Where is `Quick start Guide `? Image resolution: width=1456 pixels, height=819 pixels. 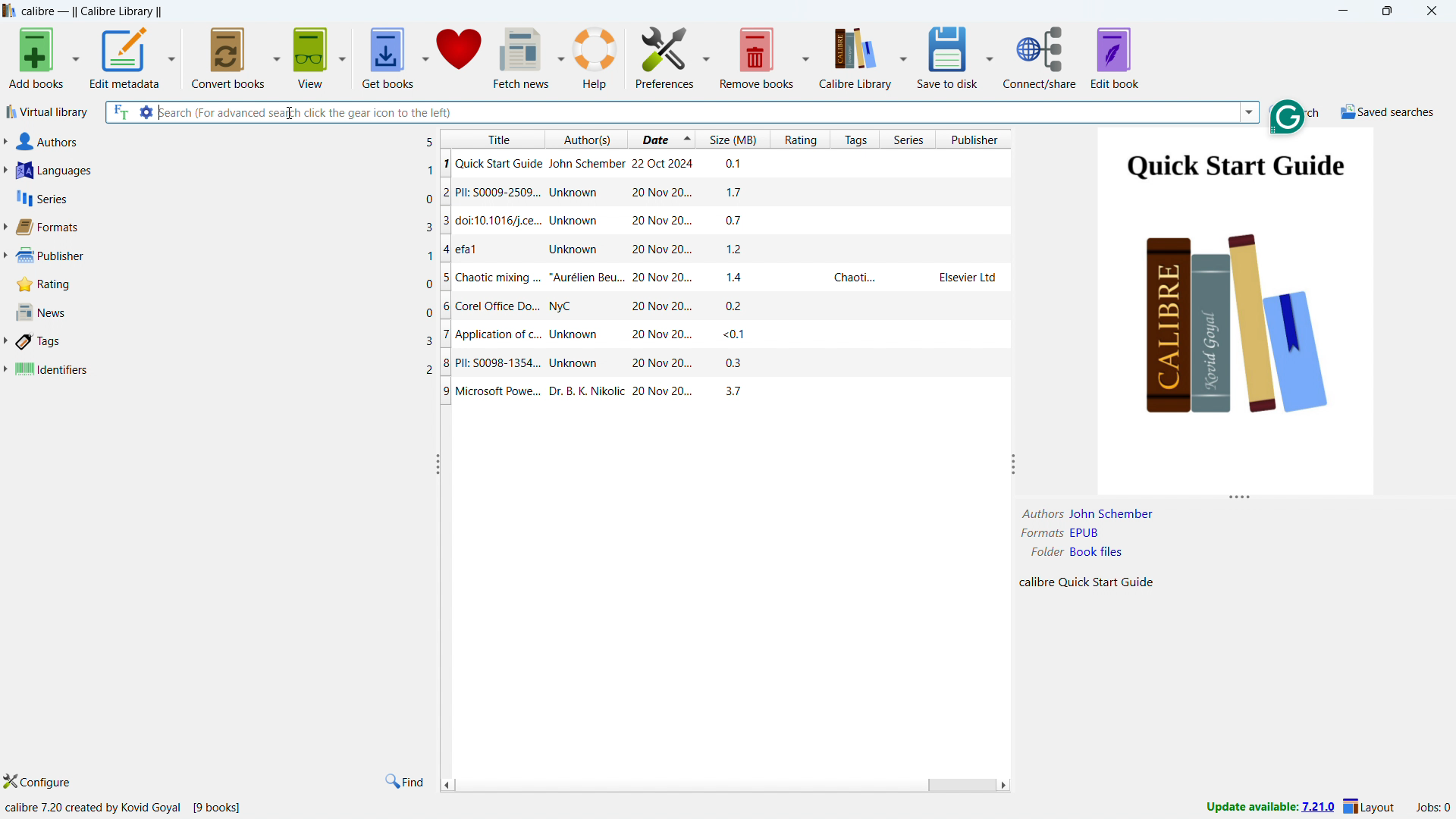 Quick start Guide  is located at coordinates (726, 164).